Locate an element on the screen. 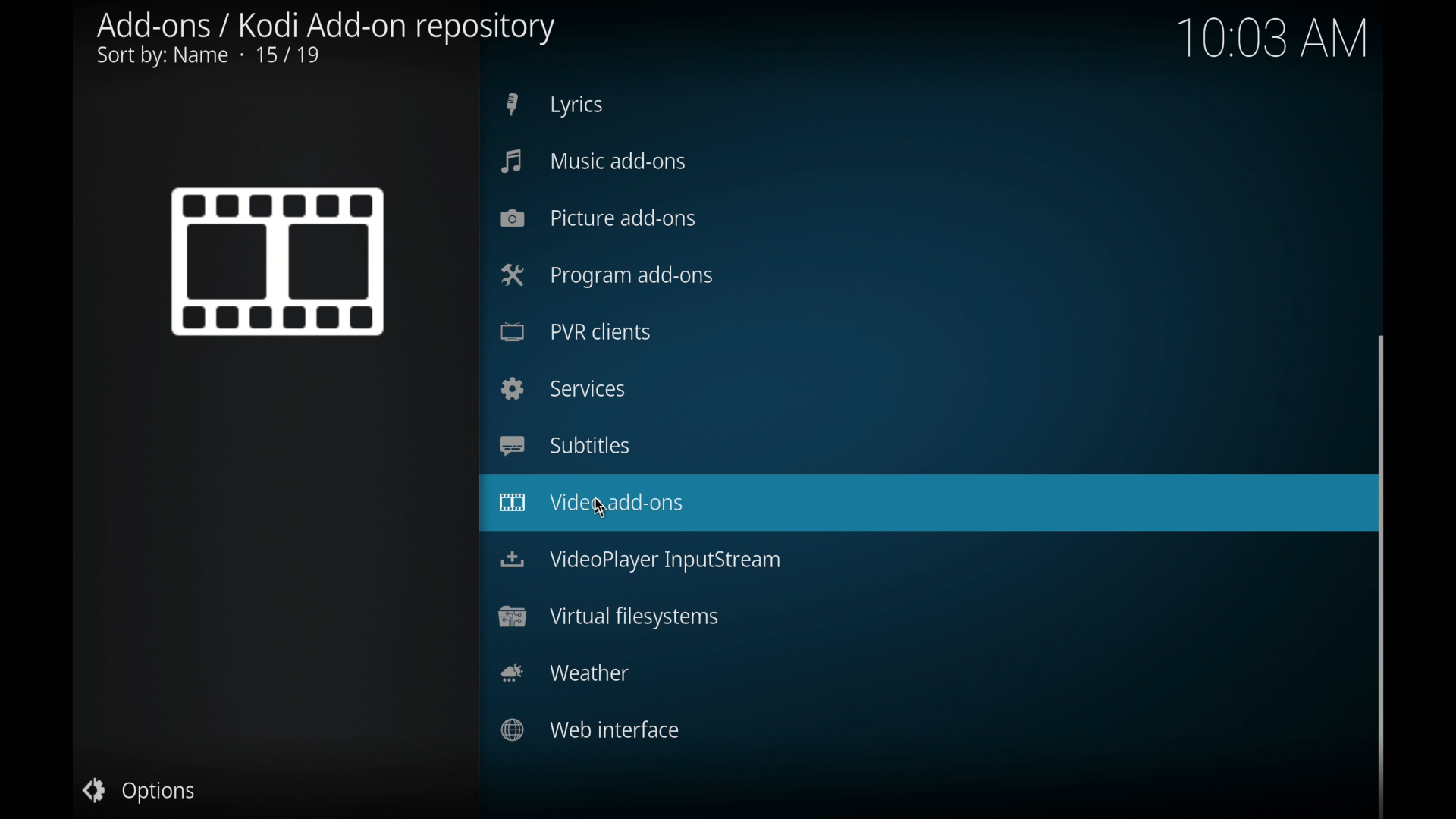 The width and height of the screenshot is (1456, 819). Cursor is located at coordinates (598, 506).